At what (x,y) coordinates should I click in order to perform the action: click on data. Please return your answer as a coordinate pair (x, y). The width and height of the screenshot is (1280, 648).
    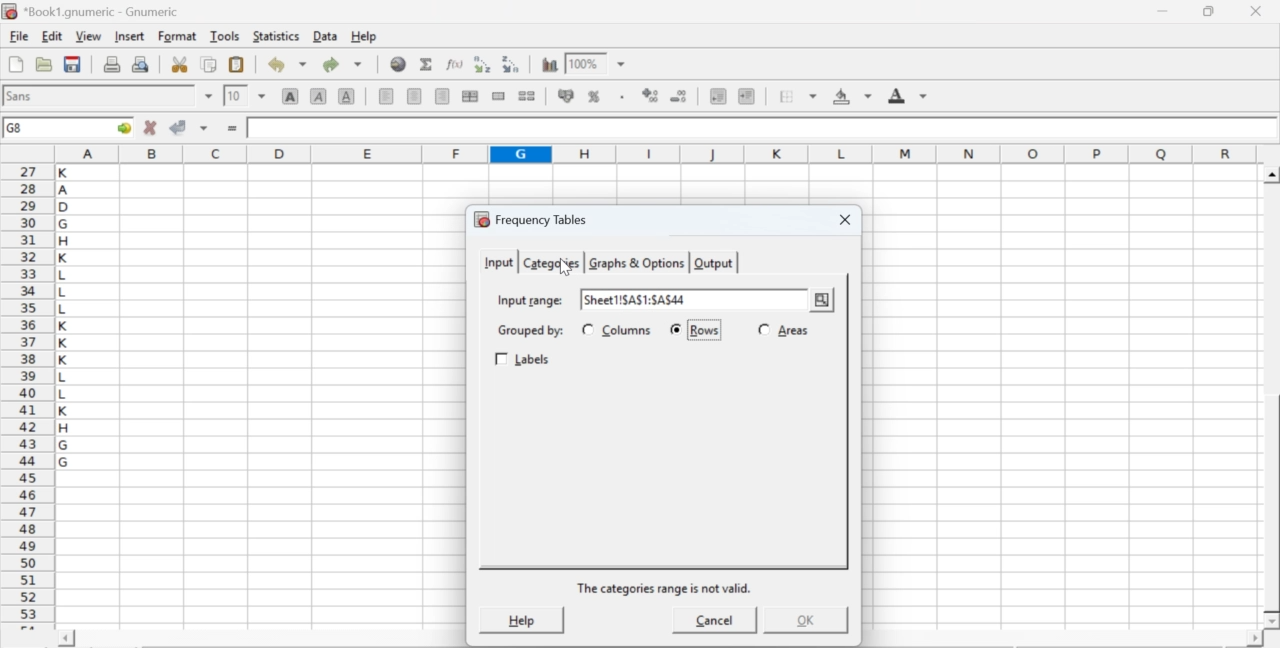
    Looking at the image, I should click on (327, 35).